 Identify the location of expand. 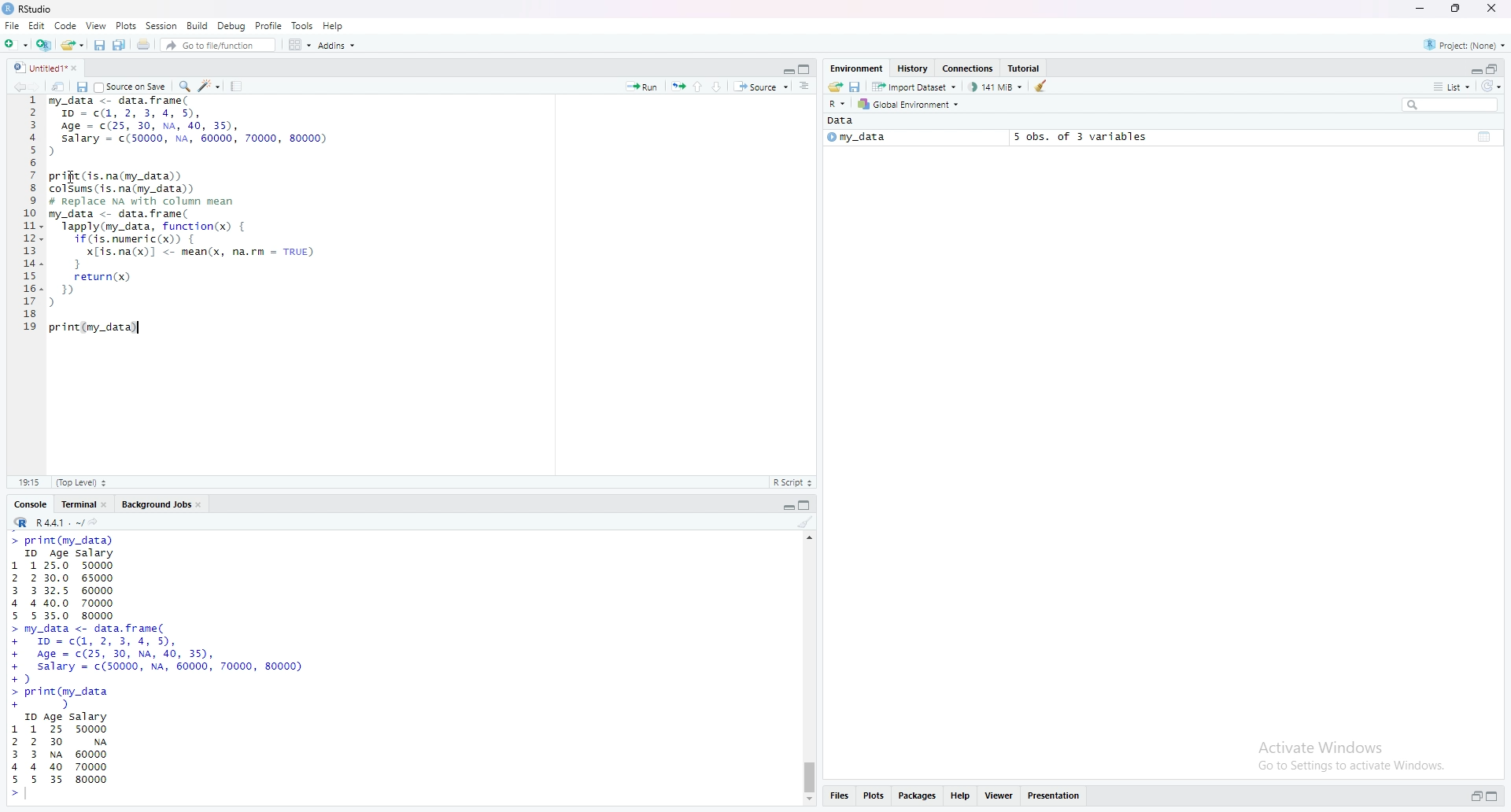
(785, 508).